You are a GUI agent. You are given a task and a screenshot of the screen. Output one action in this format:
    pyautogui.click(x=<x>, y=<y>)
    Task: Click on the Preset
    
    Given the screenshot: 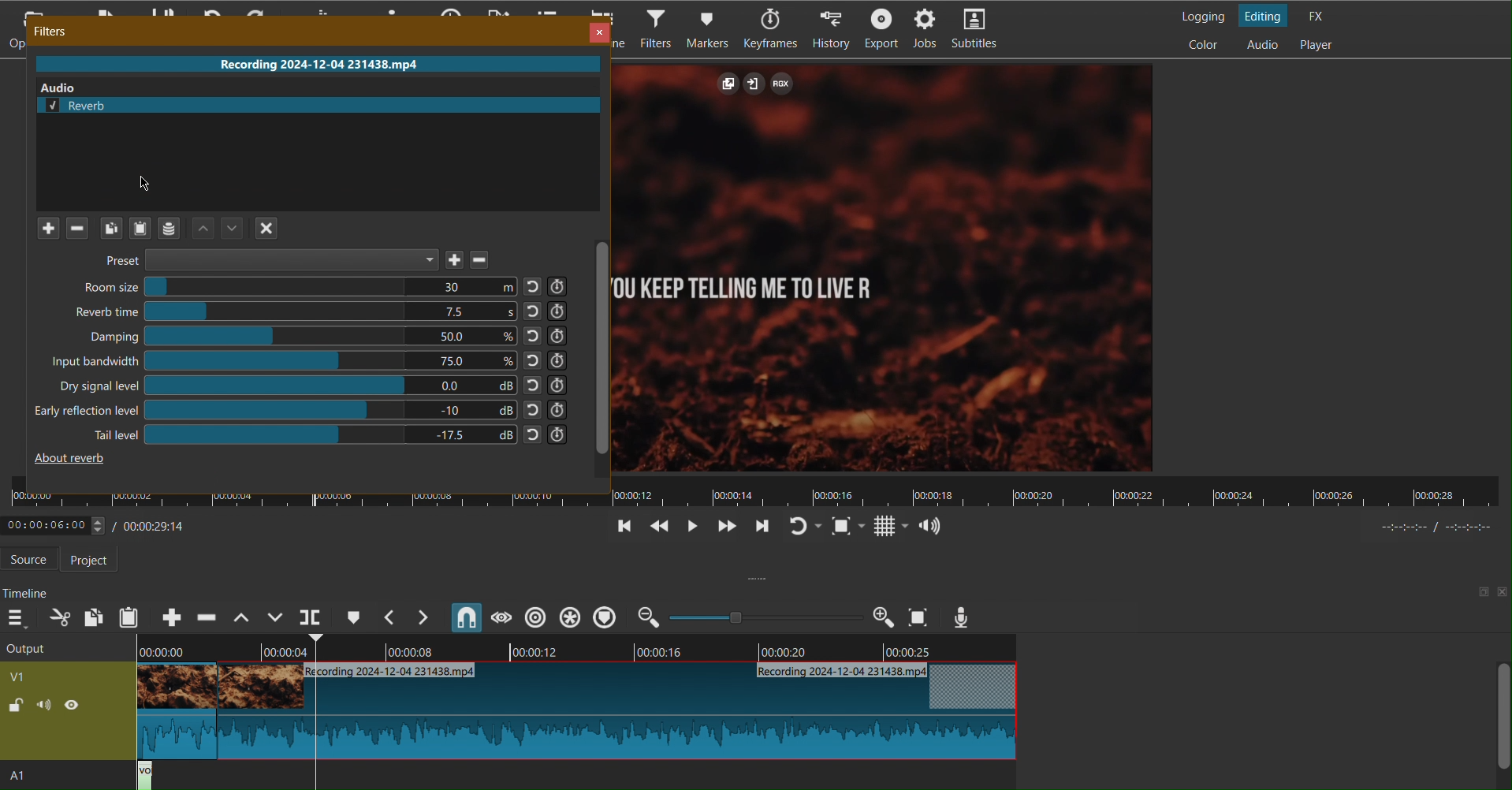 What is the action you would take?
    pyautogui.click(x=303, y=261)
    